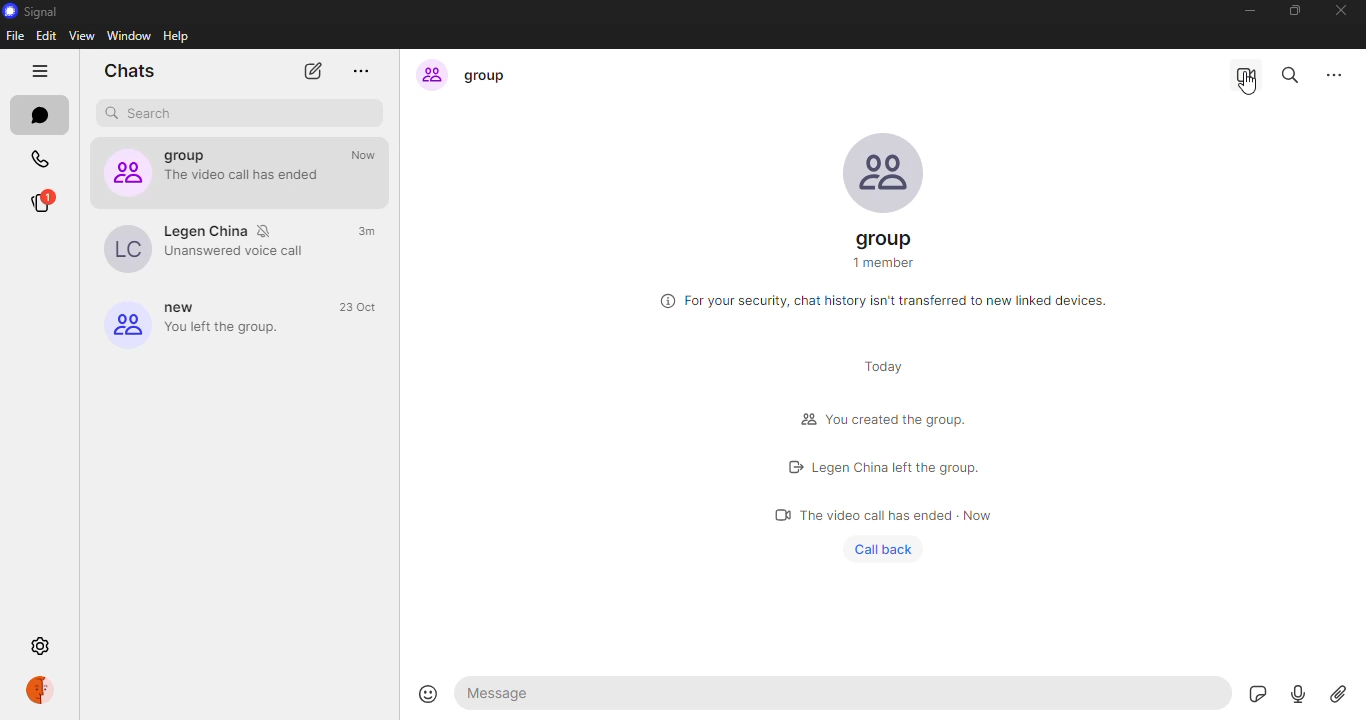  What do you see at coordinates (123, 322) in the screenshot?
I see `new profile` at bounding box center [123, 322].